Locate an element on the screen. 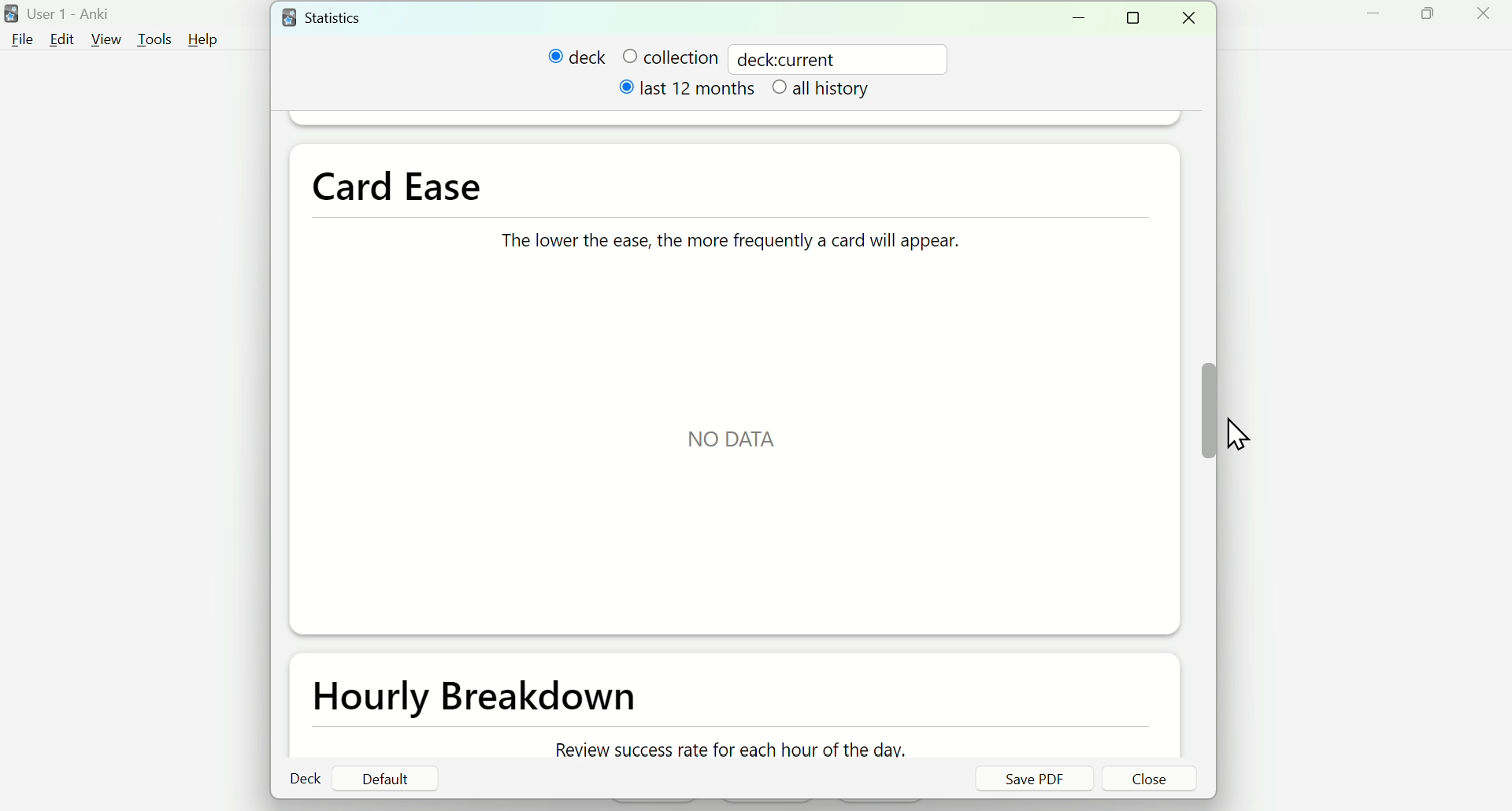 This screenshot has height=811, width=1512. File is located at coordinates (24, 39).